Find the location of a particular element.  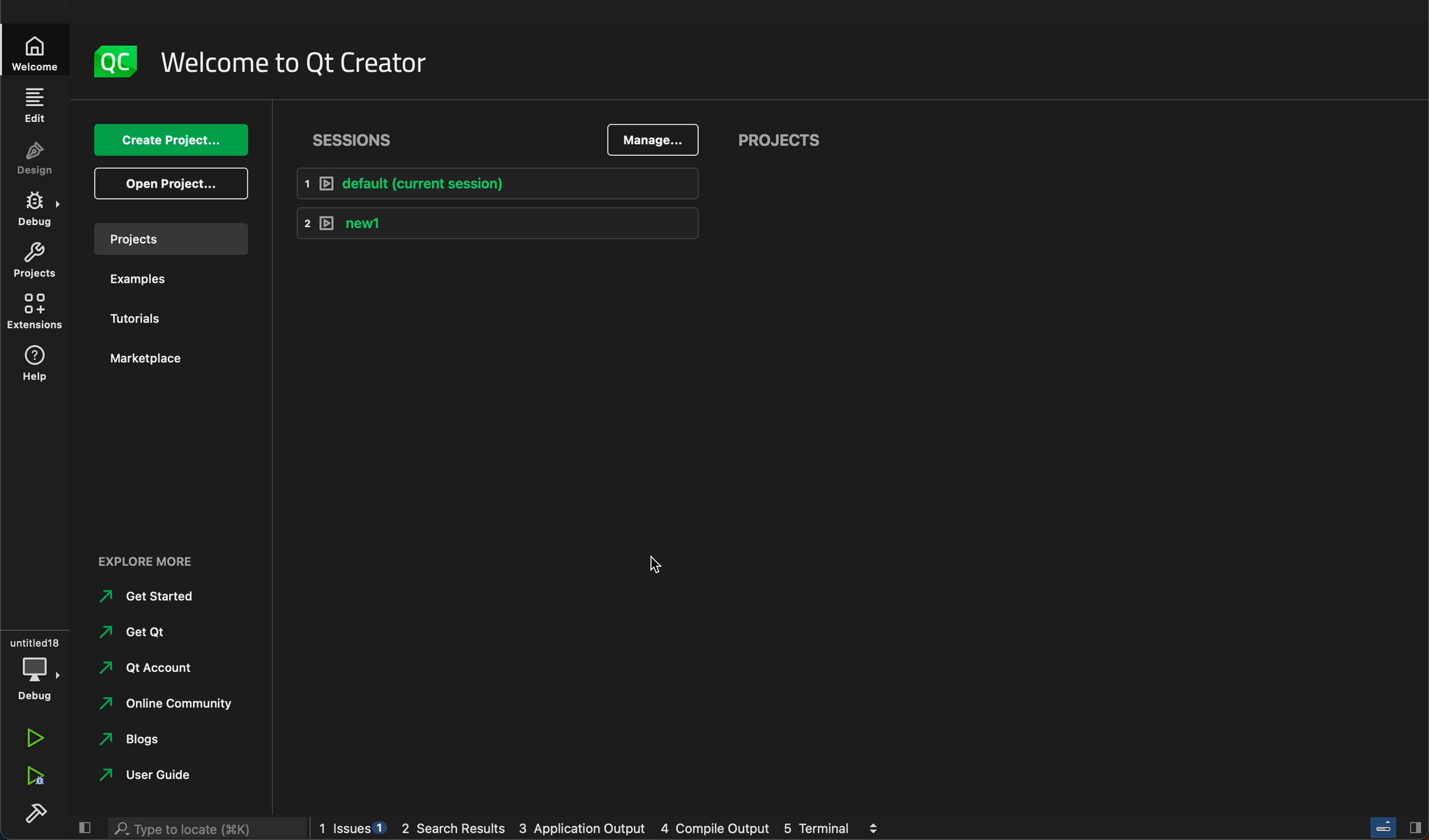

projects is located at coordinates (171, 239).